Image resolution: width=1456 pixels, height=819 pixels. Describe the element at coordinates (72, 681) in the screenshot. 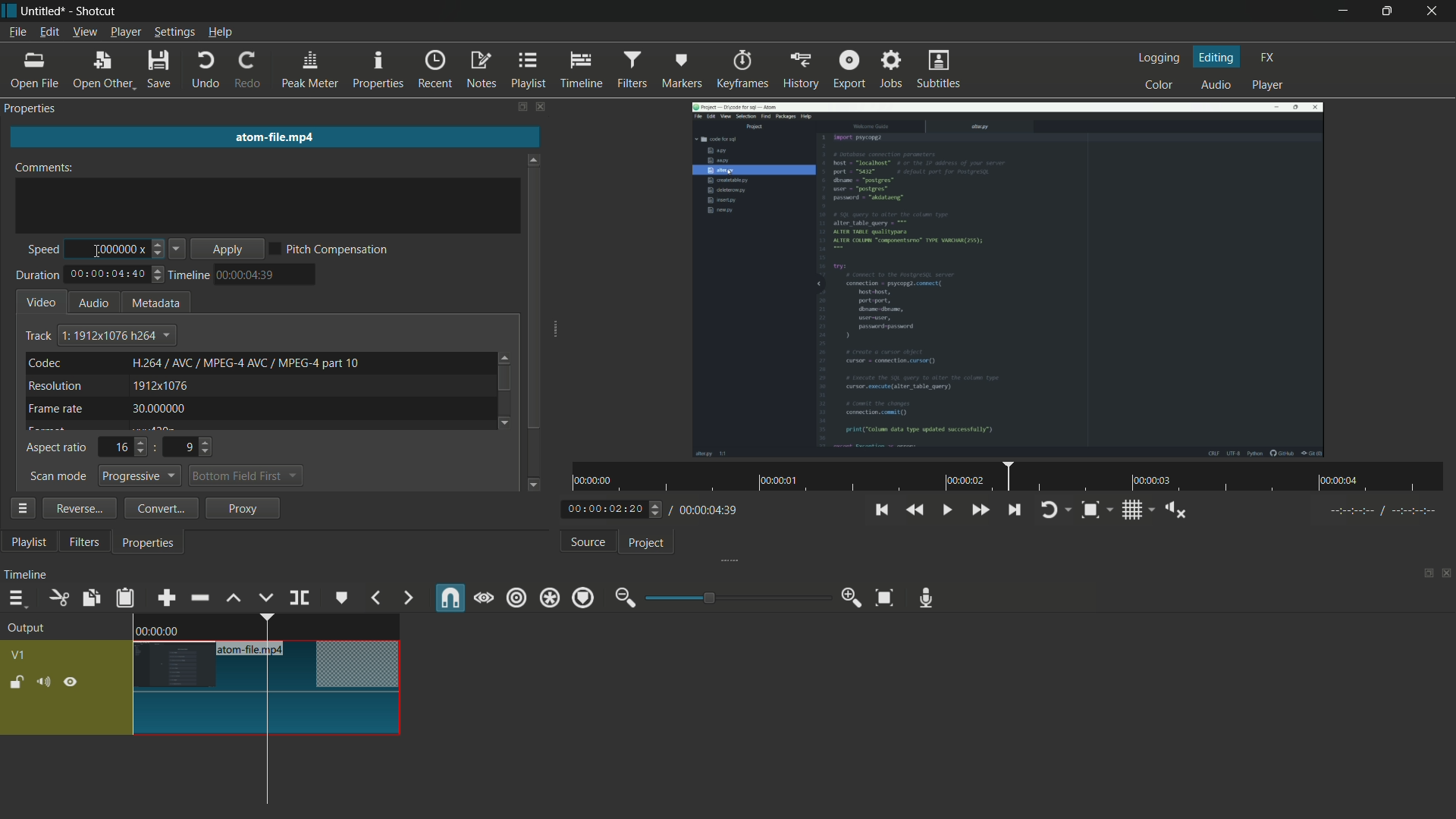

I see `hide` at that location.